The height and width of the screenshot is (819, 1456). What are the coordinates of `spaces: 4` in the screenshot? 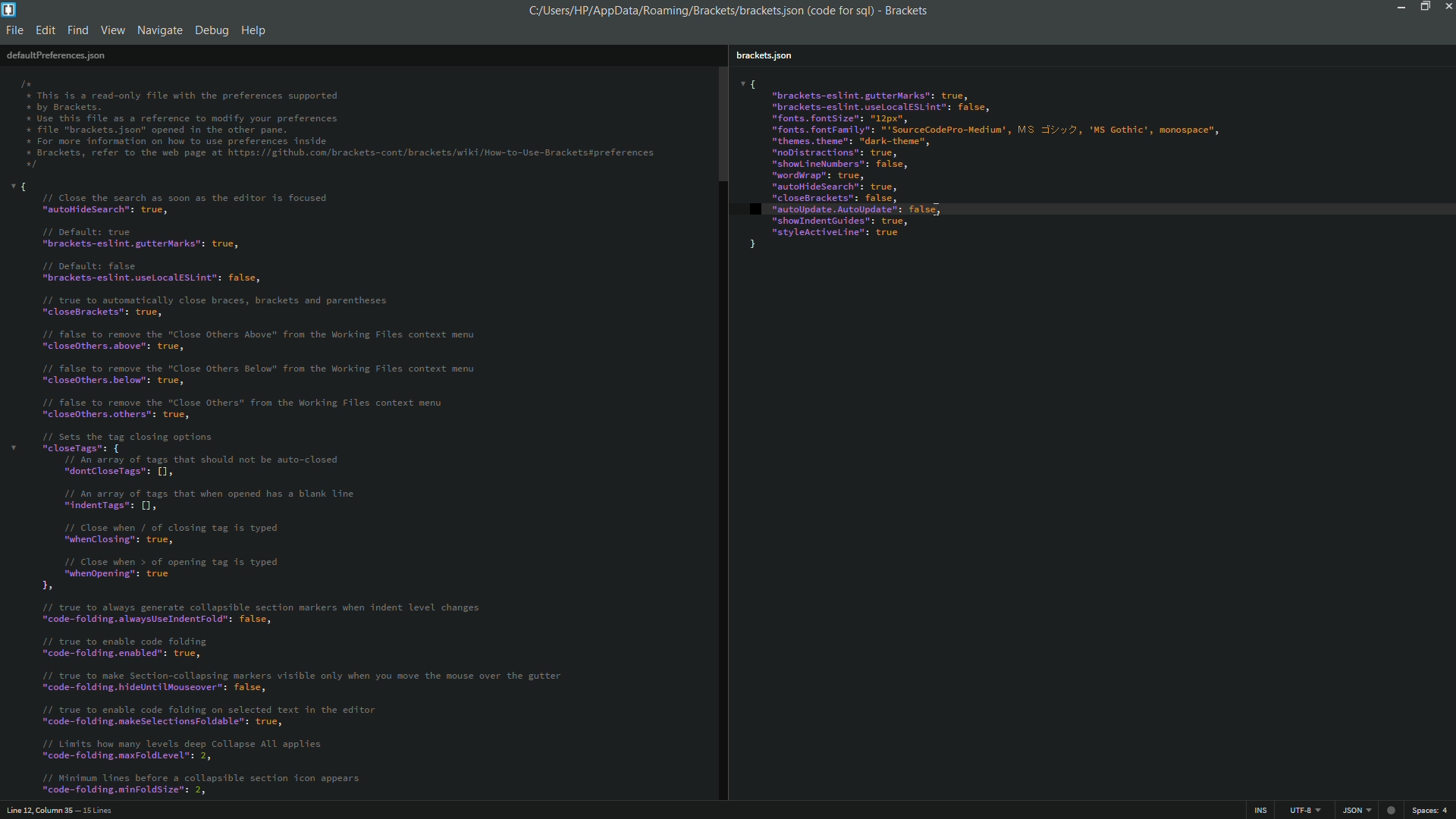 It's located at (1432, 810).